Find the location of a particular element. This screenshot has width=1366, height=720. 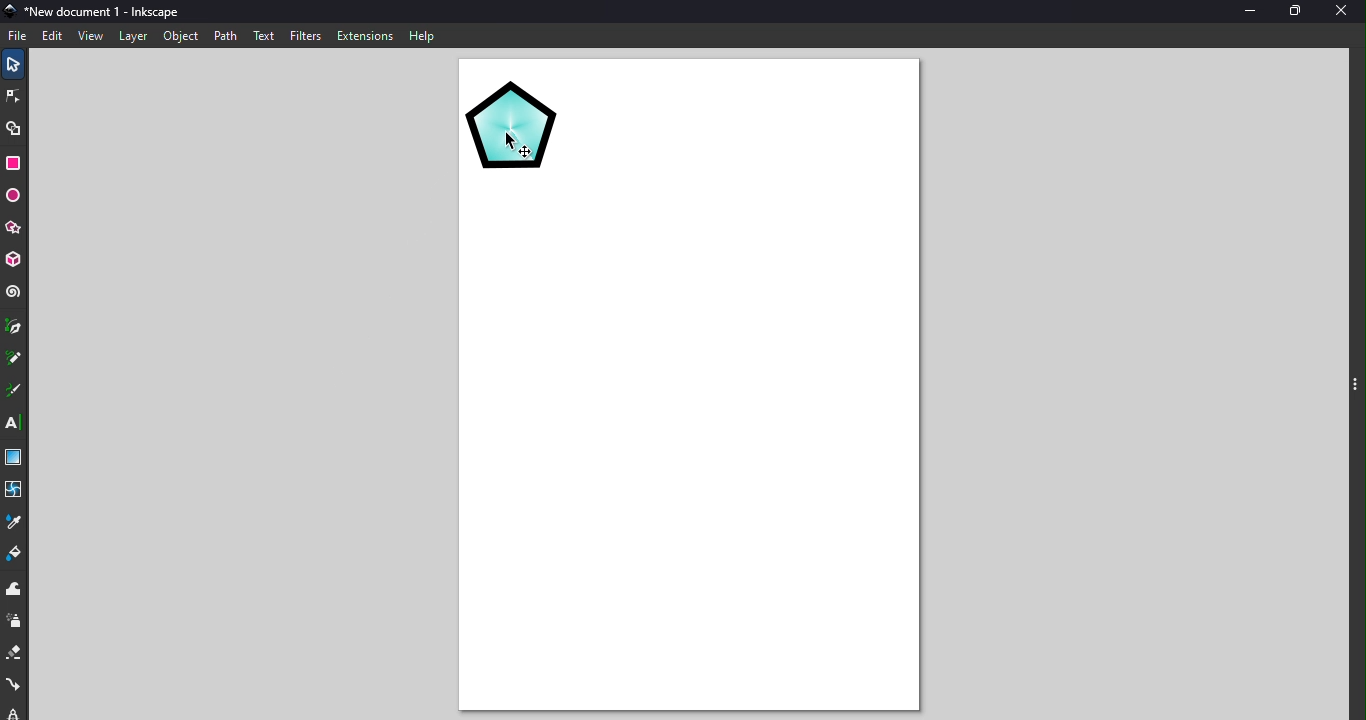

Selector tool is located at coordinates (14, 62).